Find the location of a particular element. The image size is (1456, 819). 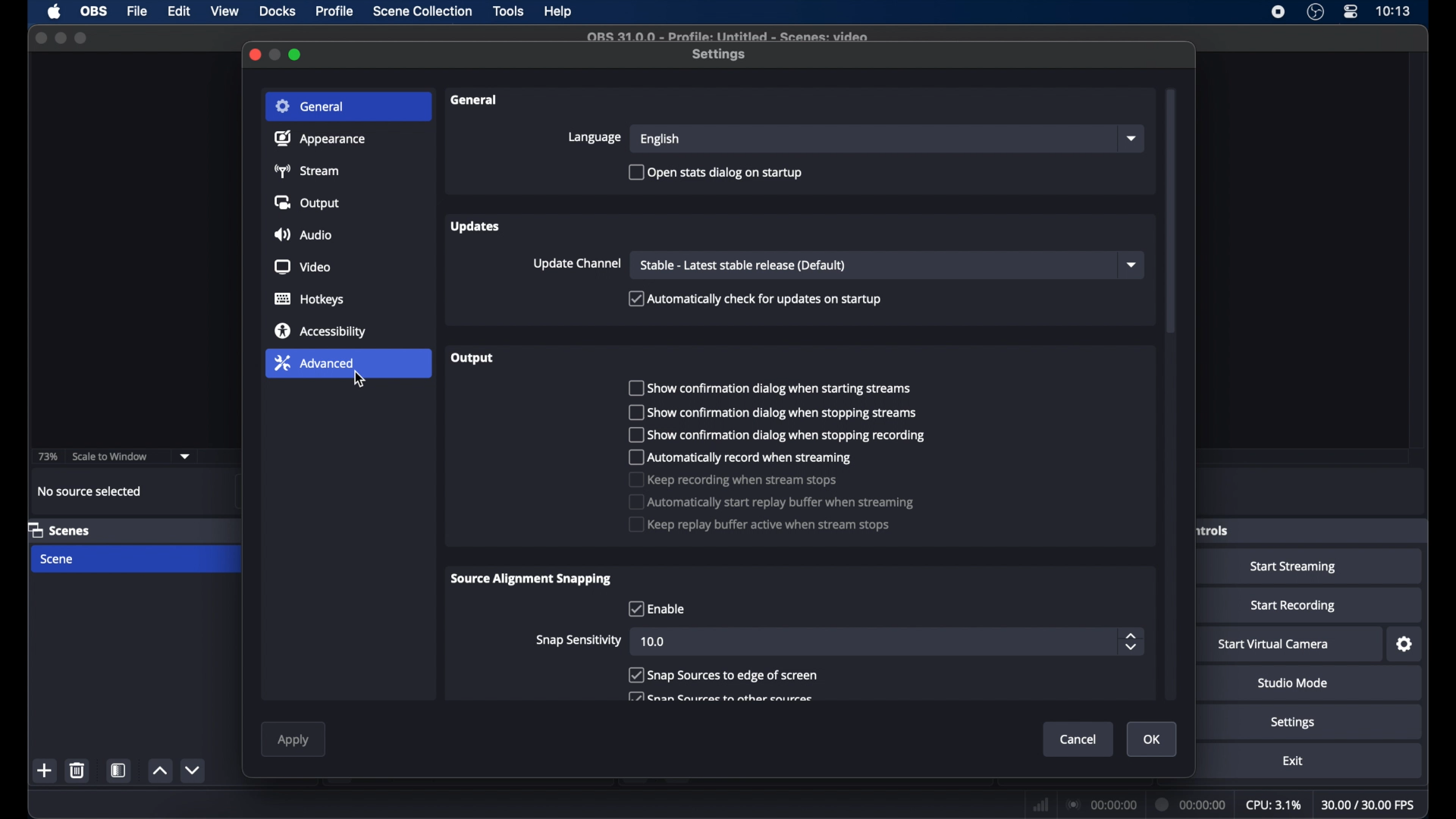

checkbox is located at coordinates (760, 526).